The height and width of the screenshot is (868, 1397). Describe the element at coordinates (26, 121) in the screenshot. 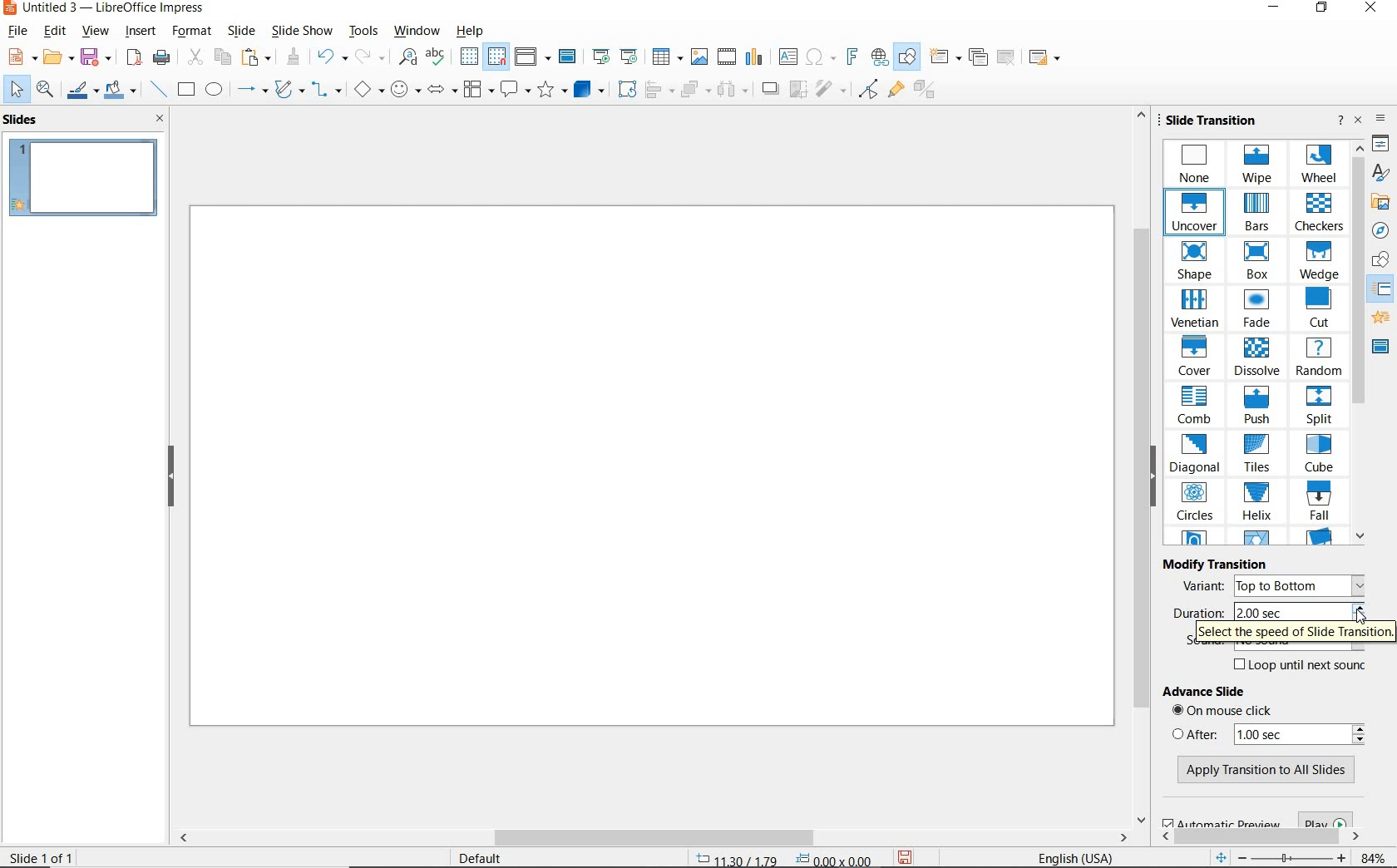

I see `SLIDES` at that location.